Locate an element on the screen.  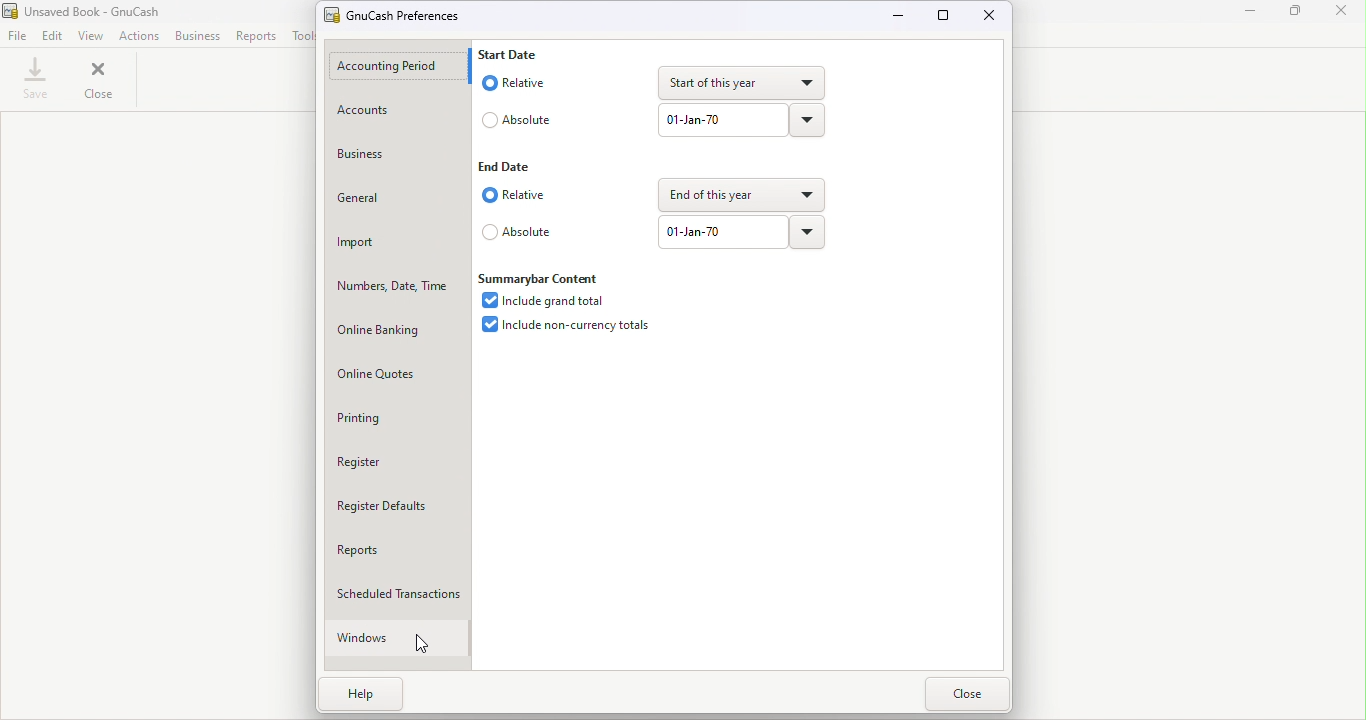
File is located at coordinates (17, 36).